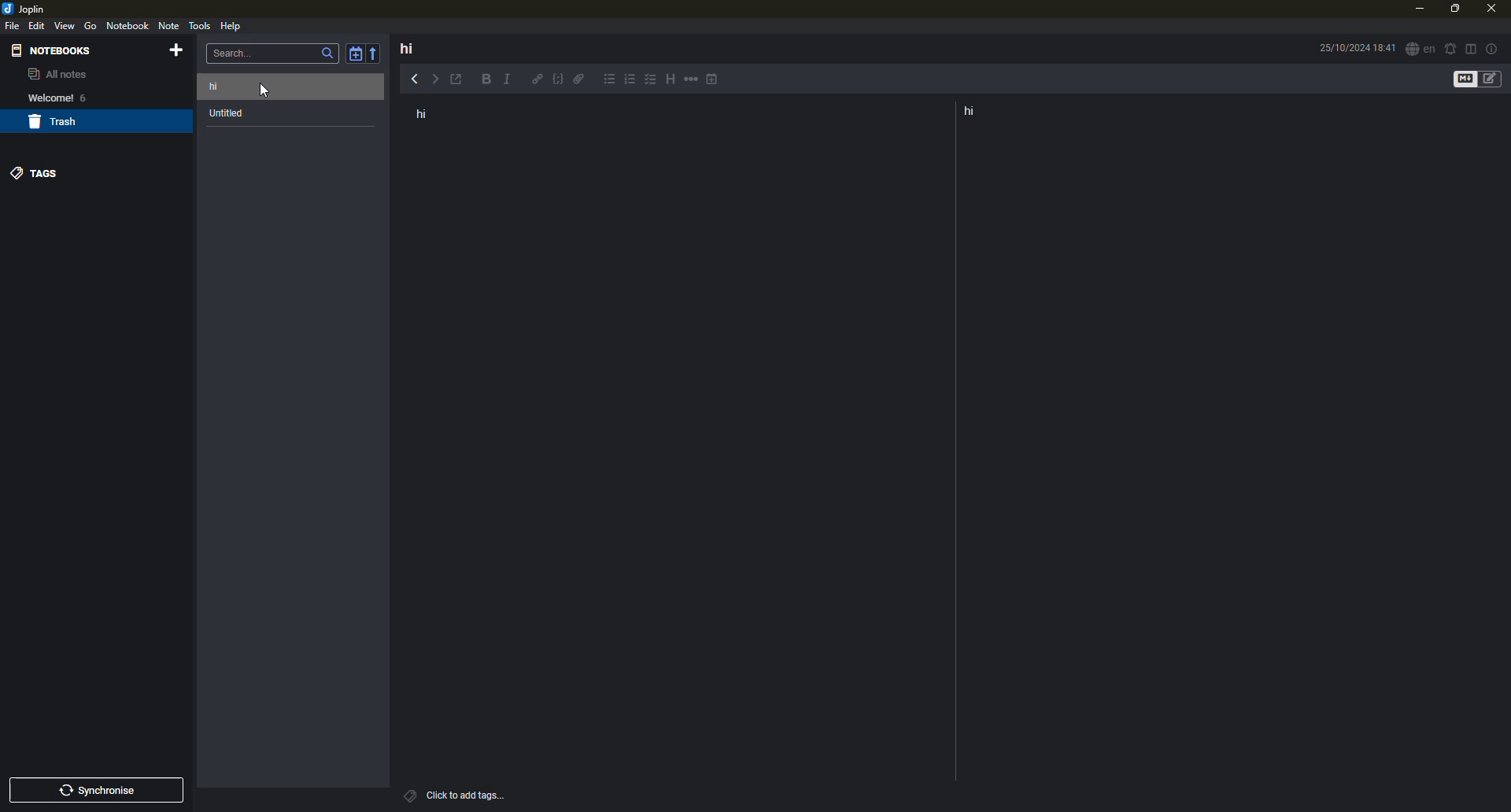  What do you see at coordinates (377, 52) in the screenshot?
I see `reverse sort order` at bounding box center [377, 52].